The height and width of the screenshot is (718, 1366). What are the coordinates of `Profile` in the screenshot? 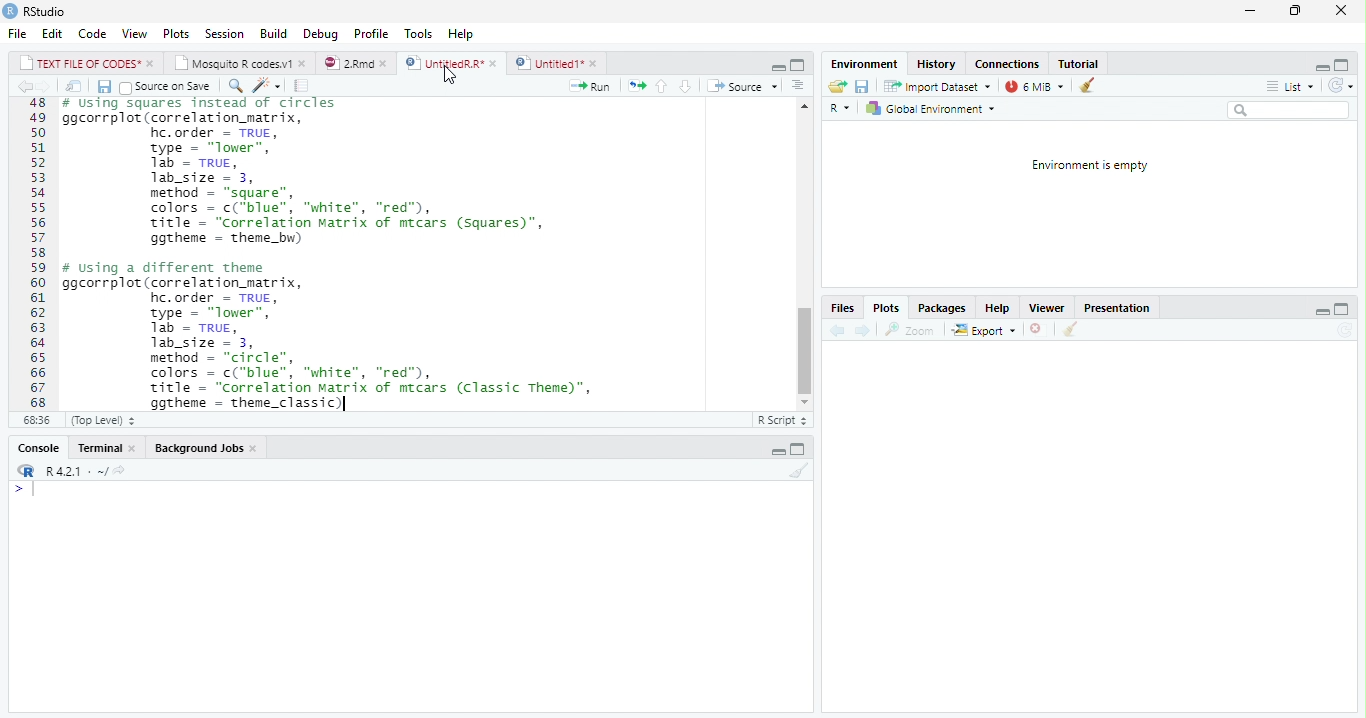 It's located at (370, 33).